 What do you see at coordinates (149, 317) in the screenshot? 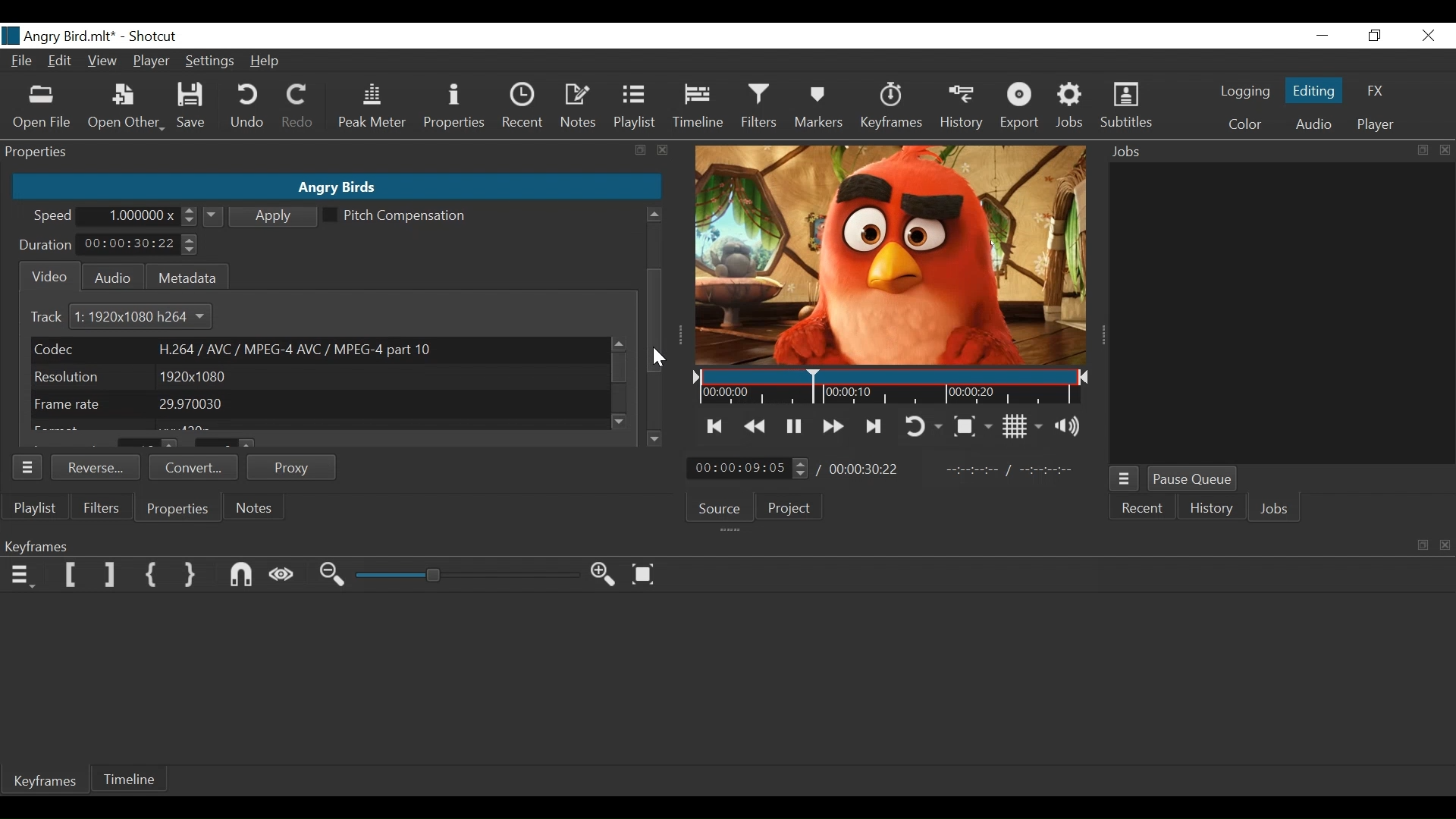
I see `Track Size` at bounding box center [149, 317].